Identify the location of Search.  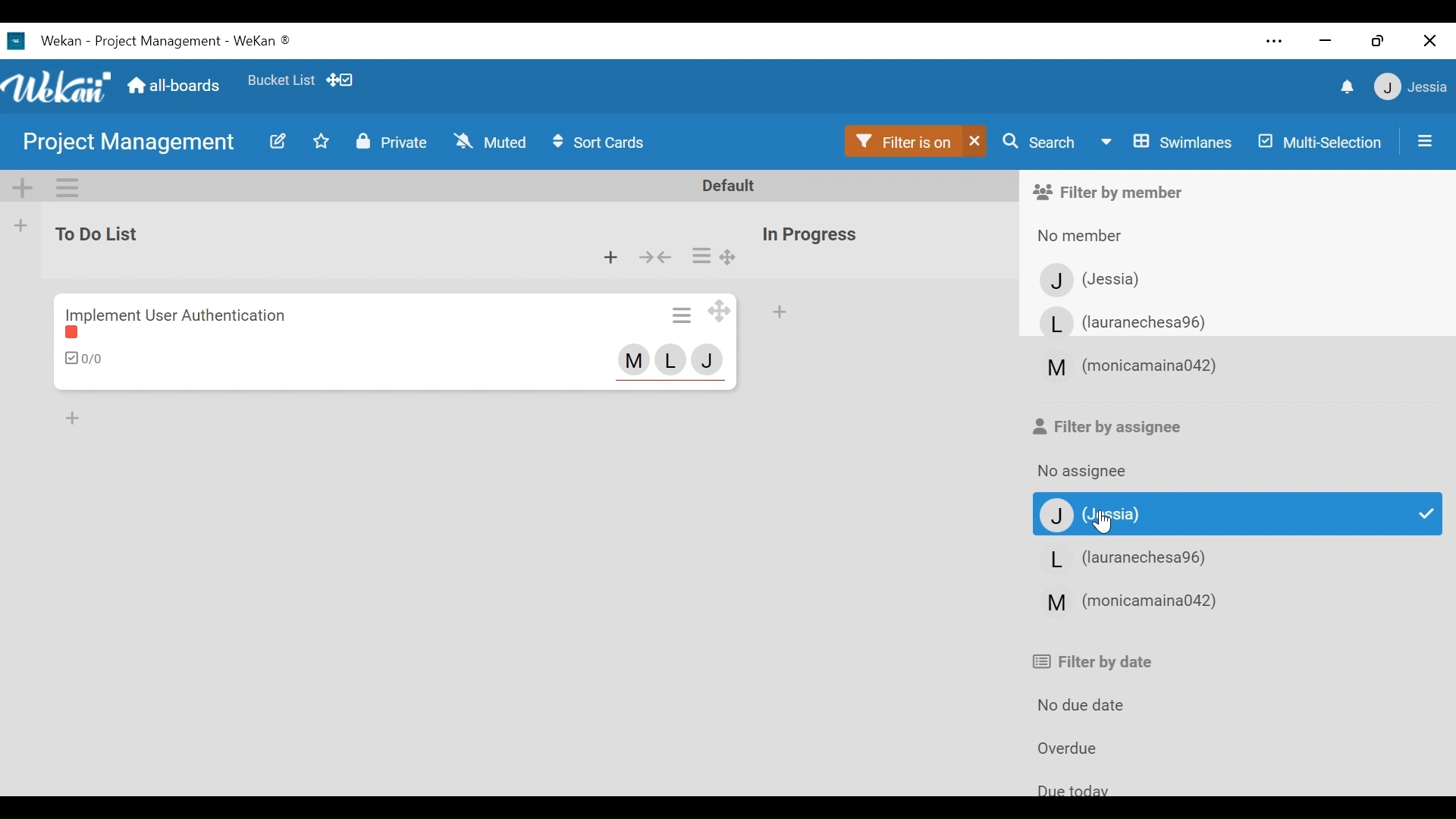
(1040, 142).